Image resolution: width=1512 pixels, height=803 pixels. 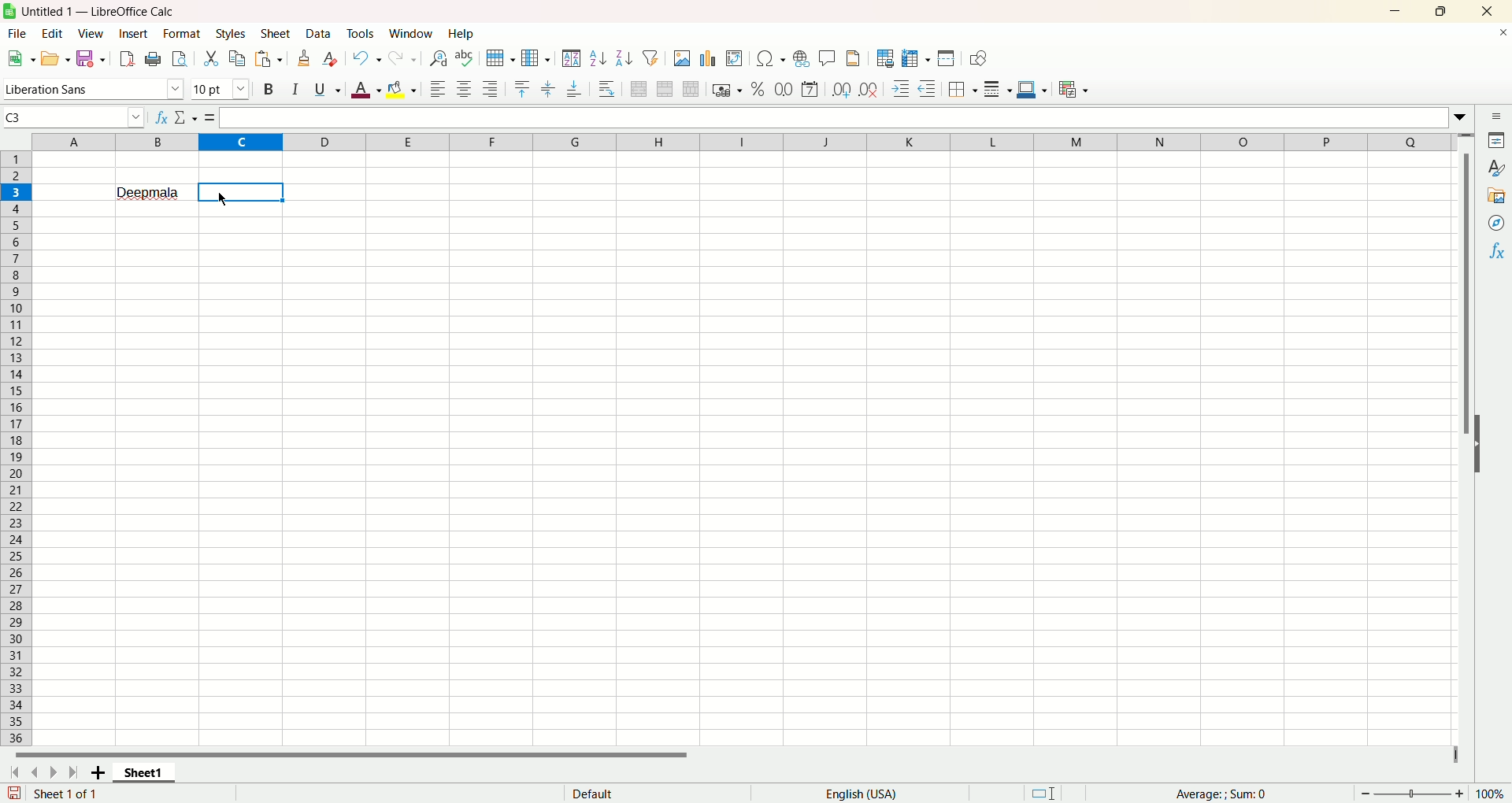 What do you see at coordinates (547, 90) in the screenshot?
I see `center vertically` at bounding box center [547, 90].